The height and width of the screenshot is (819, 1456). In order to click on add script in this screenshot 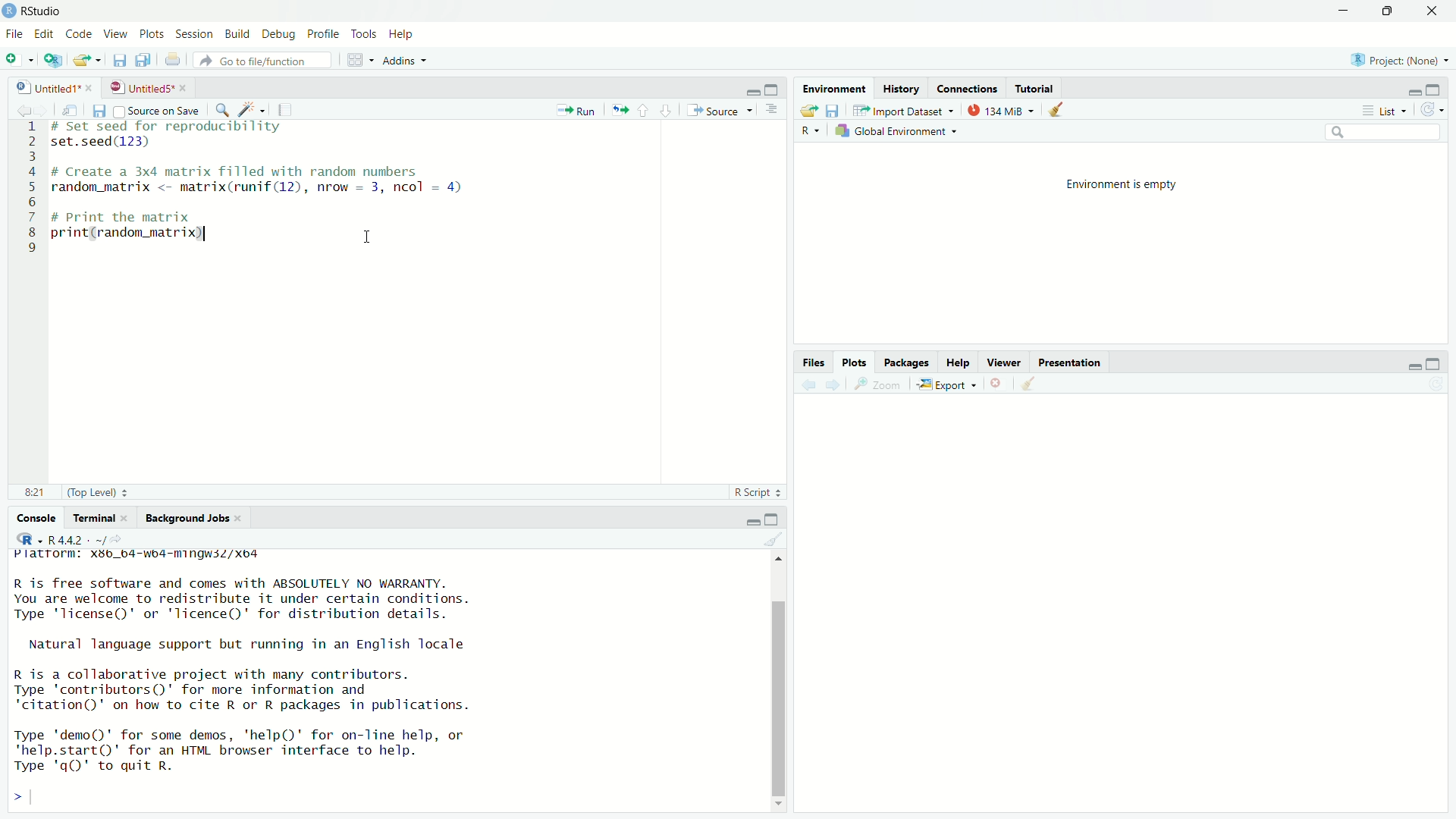, I will do `click(49, 58)`.